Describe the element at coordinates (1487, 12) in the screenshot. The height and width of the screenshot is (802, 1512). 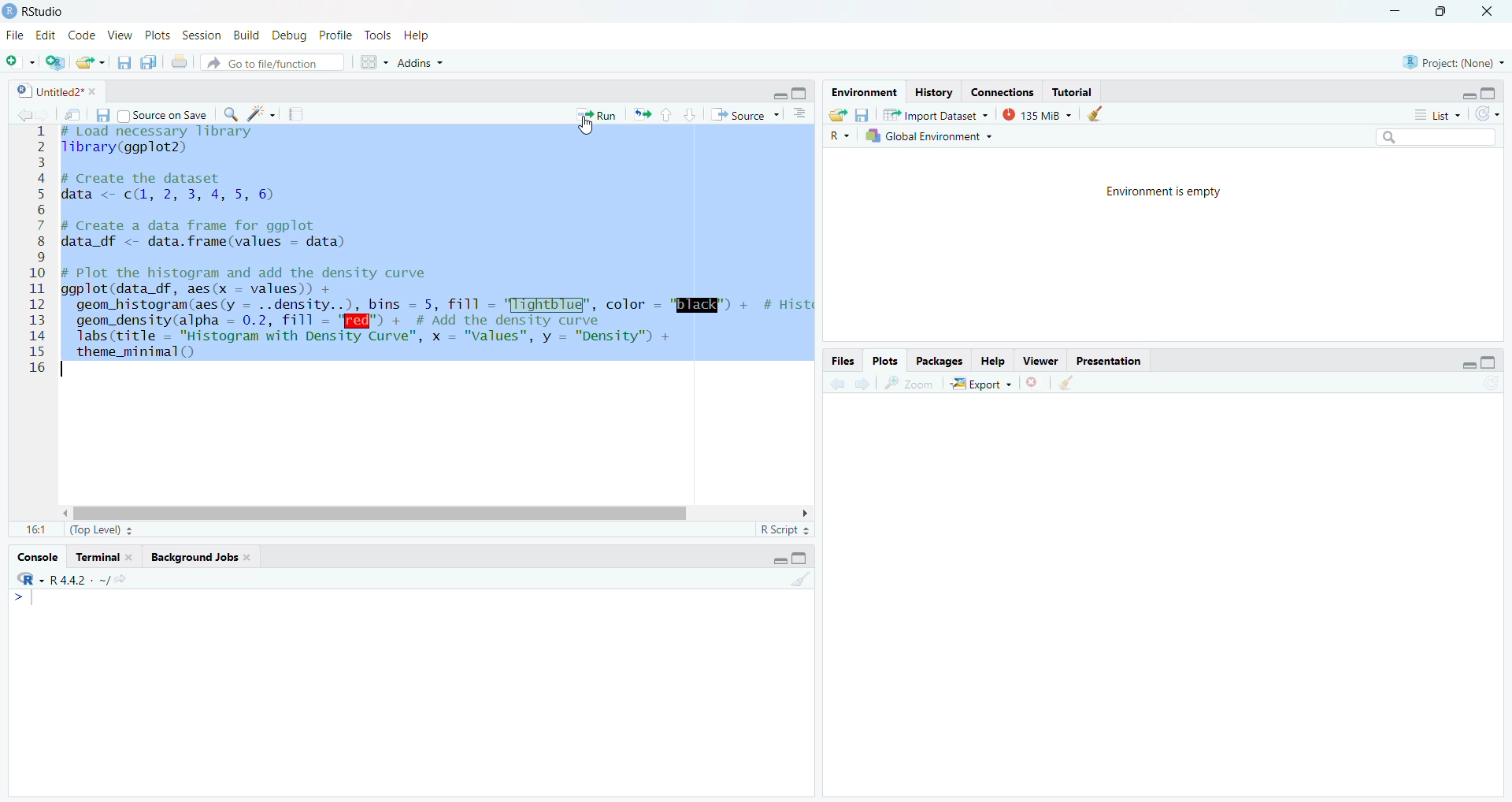
I see `close` at that location.